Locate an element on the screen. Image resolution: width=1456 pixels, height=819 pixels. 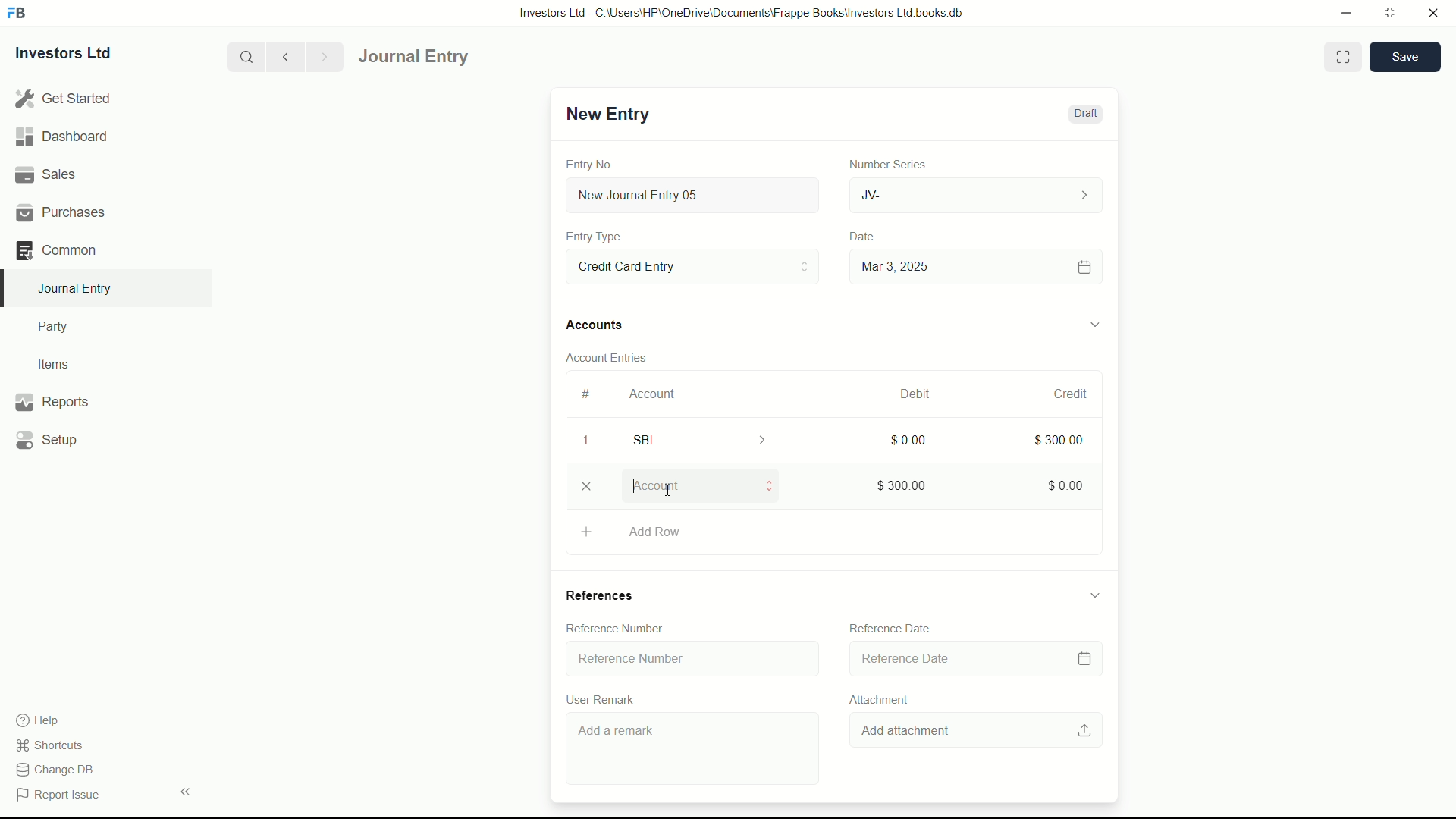
References is located at coordinates (604, 596).